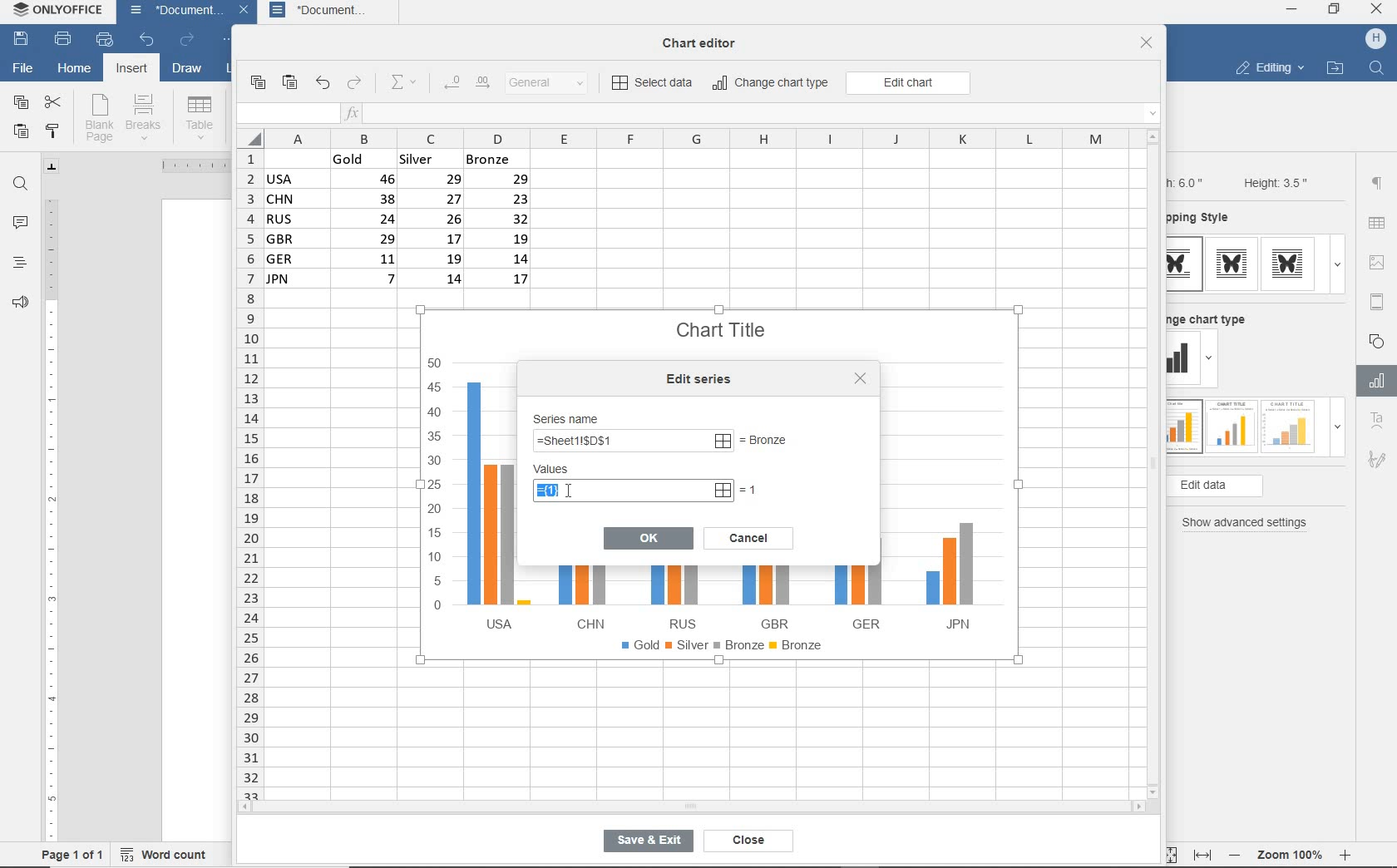  What do you see at coordinates (22, 184) in the screenshot?
I see `find` at bounding box center [22, 184].